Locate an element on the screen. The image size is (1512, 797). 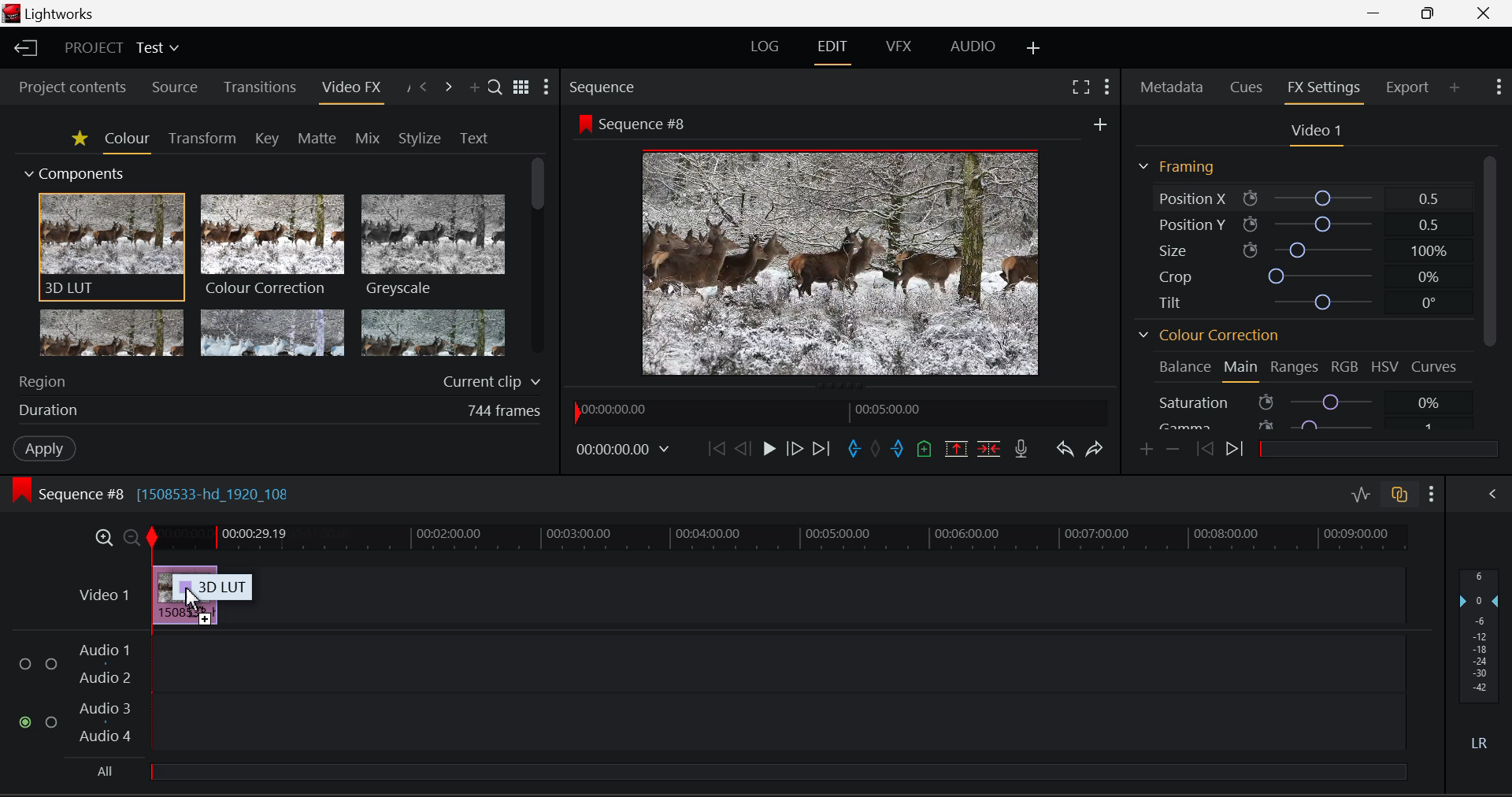
Next Panel is located at coordinates (450, 85).